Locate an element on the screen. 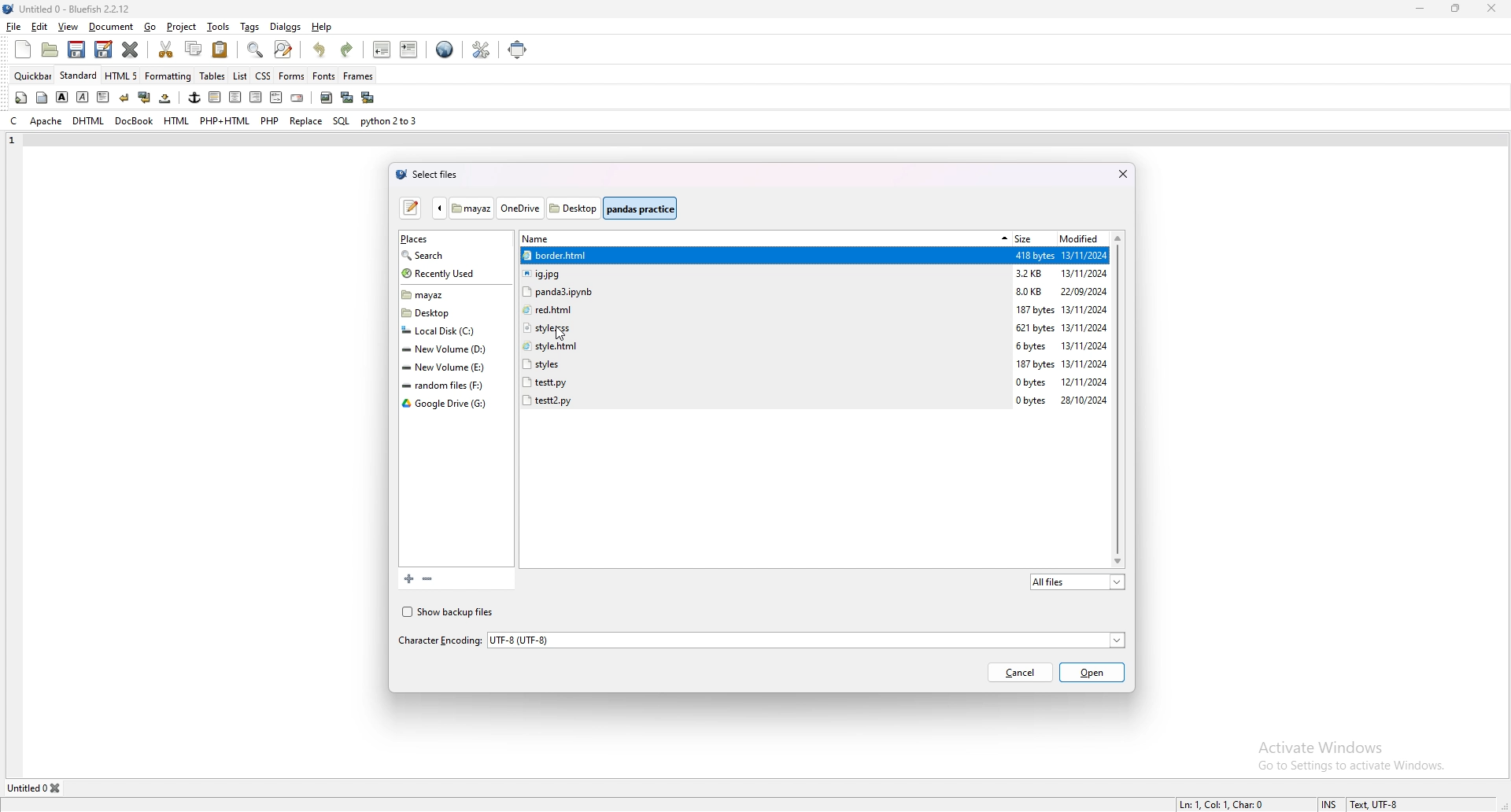  187 bytes is located at coordinates (1036, 310).